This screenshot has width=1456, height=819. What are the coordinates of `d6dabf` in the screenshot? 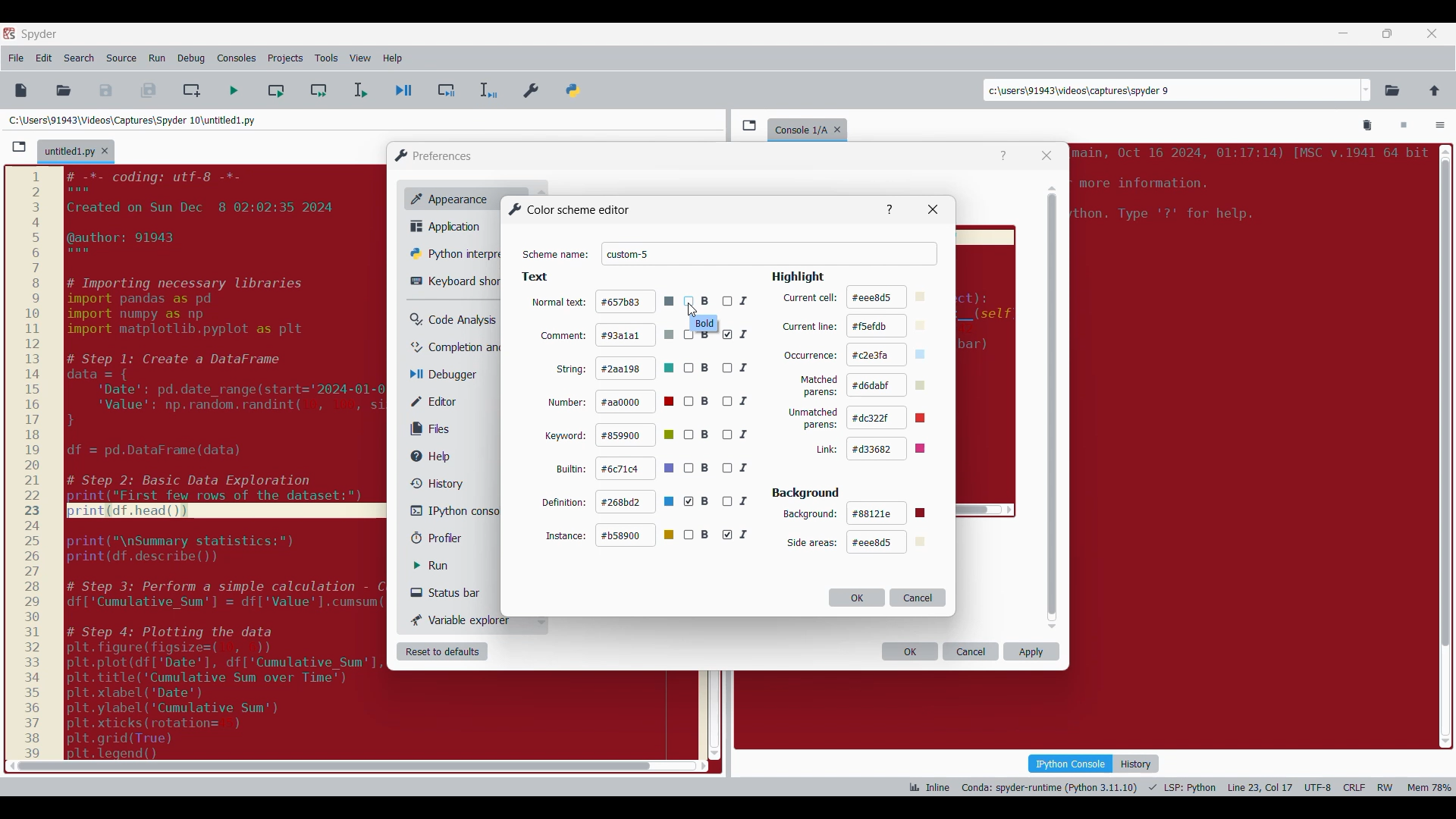 It's located at (890, 384).